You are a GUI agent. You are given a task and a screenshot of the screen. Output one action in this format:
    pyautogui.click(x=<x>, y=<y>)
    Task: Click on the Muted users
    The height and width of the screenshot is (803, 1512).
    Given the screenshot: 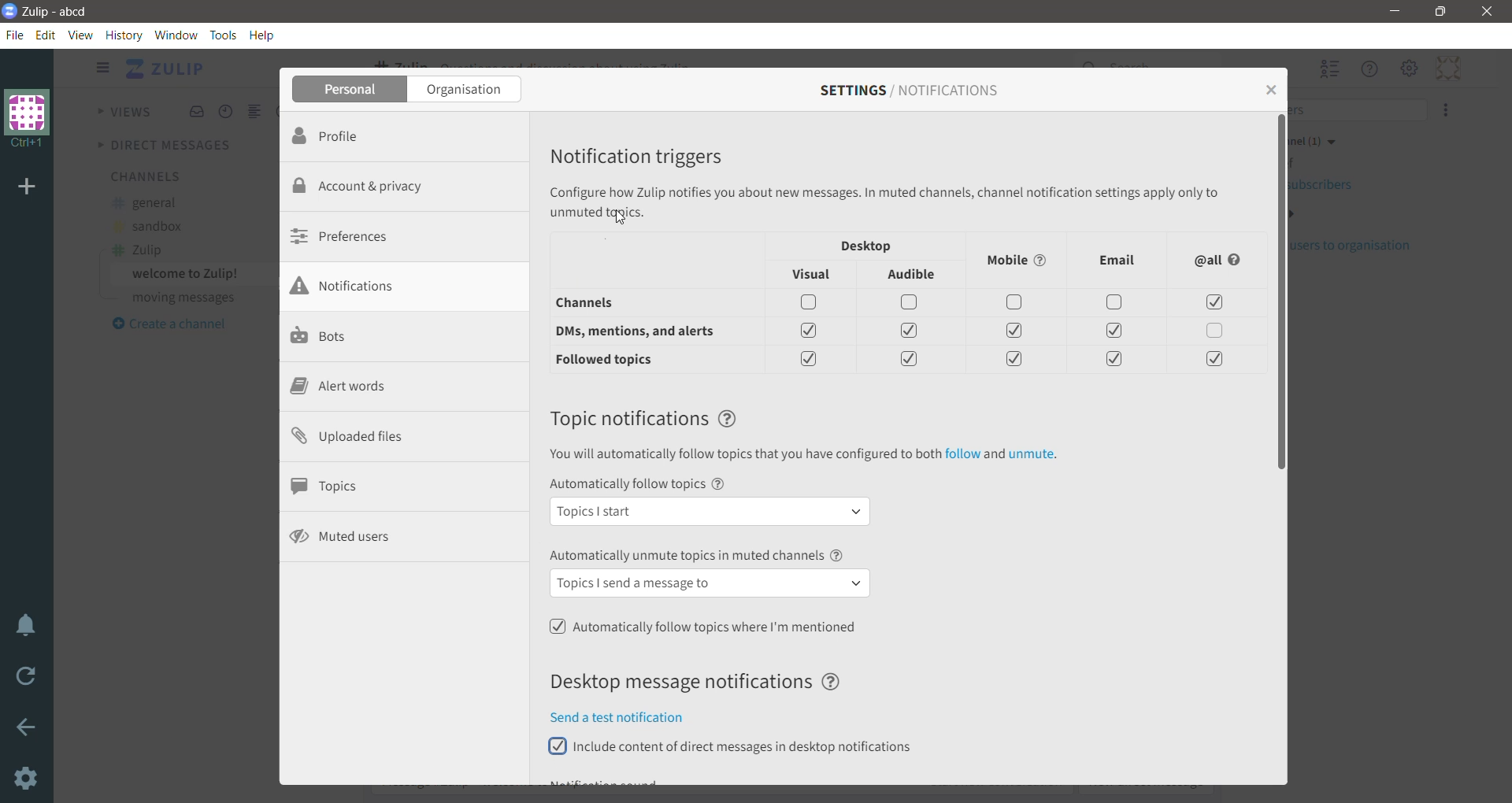 What is the action you would take?
    pyautogui.click(x=344, y=536)
    